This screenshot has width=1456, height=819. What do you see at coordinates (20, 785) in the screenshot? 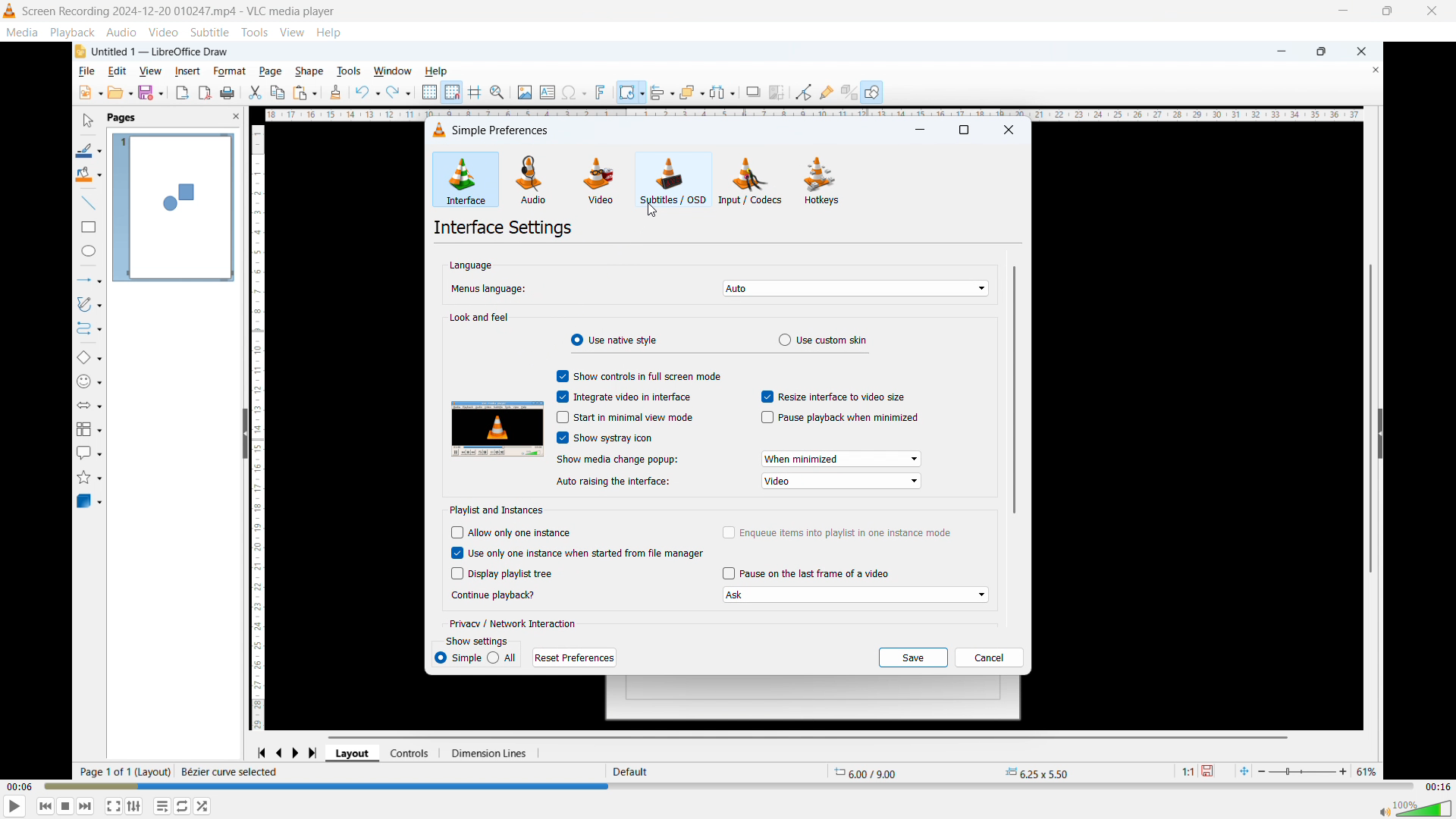
I see `Time elapsed ` at bounding box center [20, 785].